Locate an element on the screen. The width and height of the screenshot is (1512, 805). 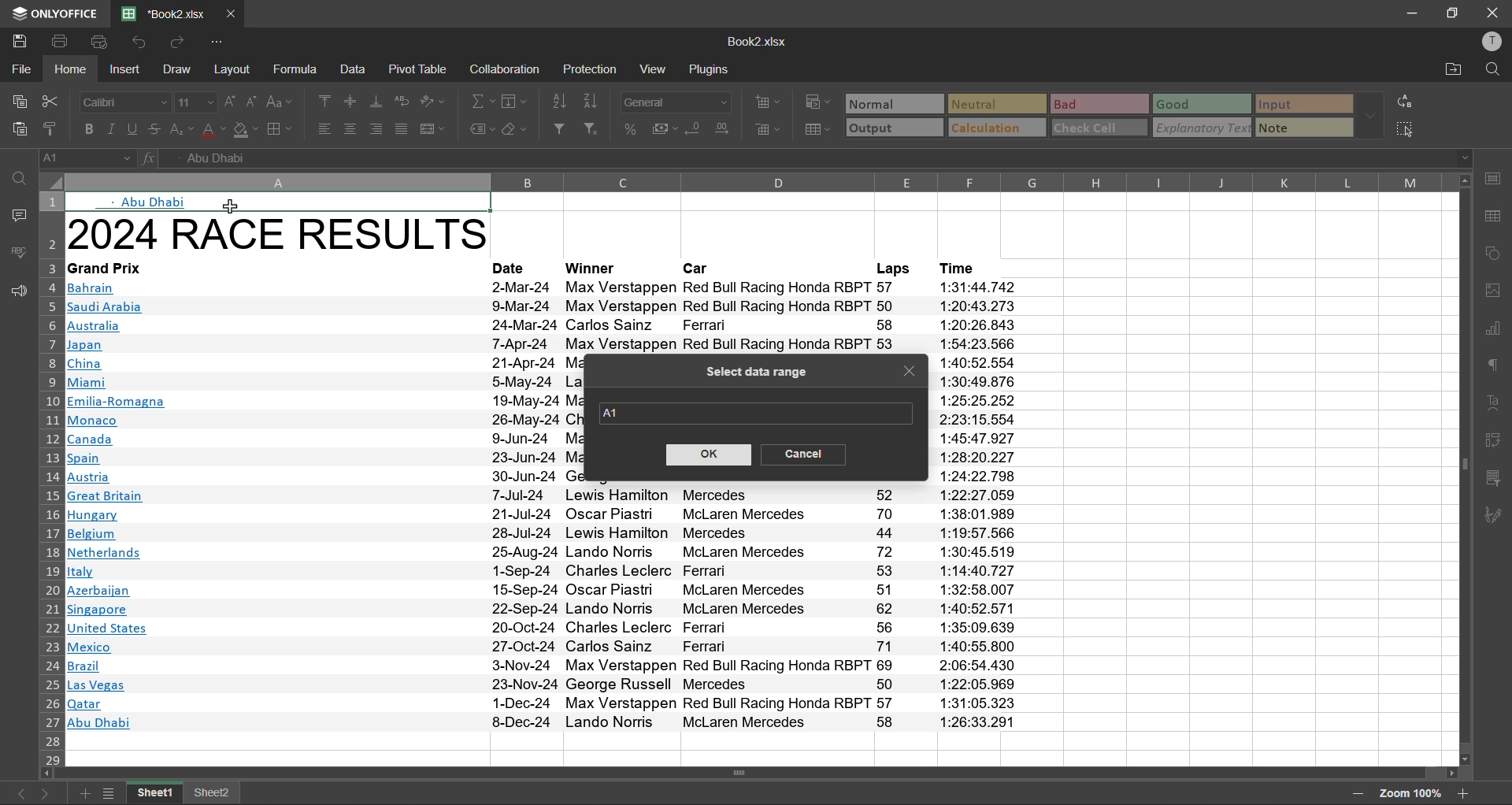
Time  is located at coordinates (992, 547).